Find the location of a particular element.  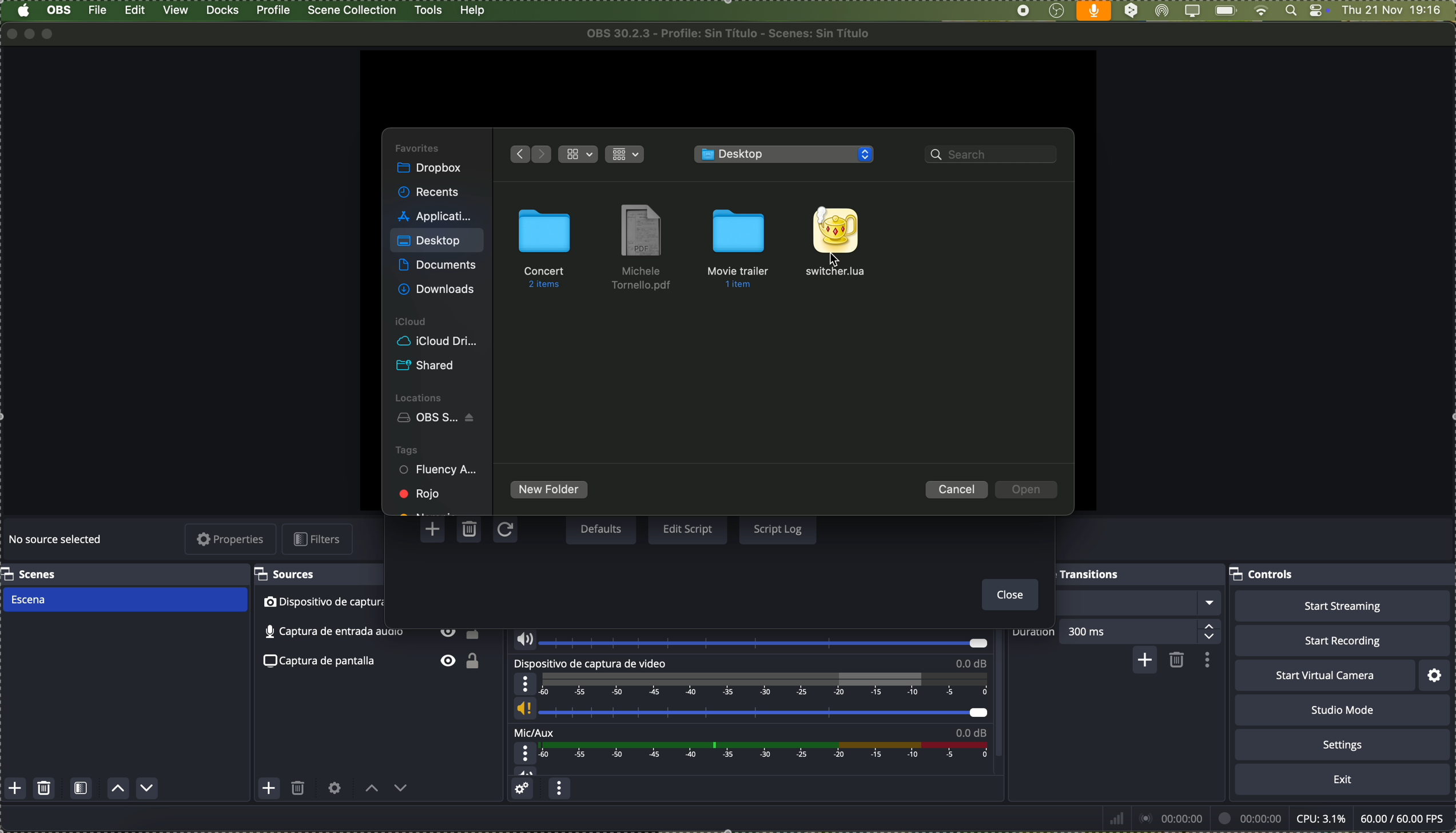

click on desktop is located at coordinates (430, 243).